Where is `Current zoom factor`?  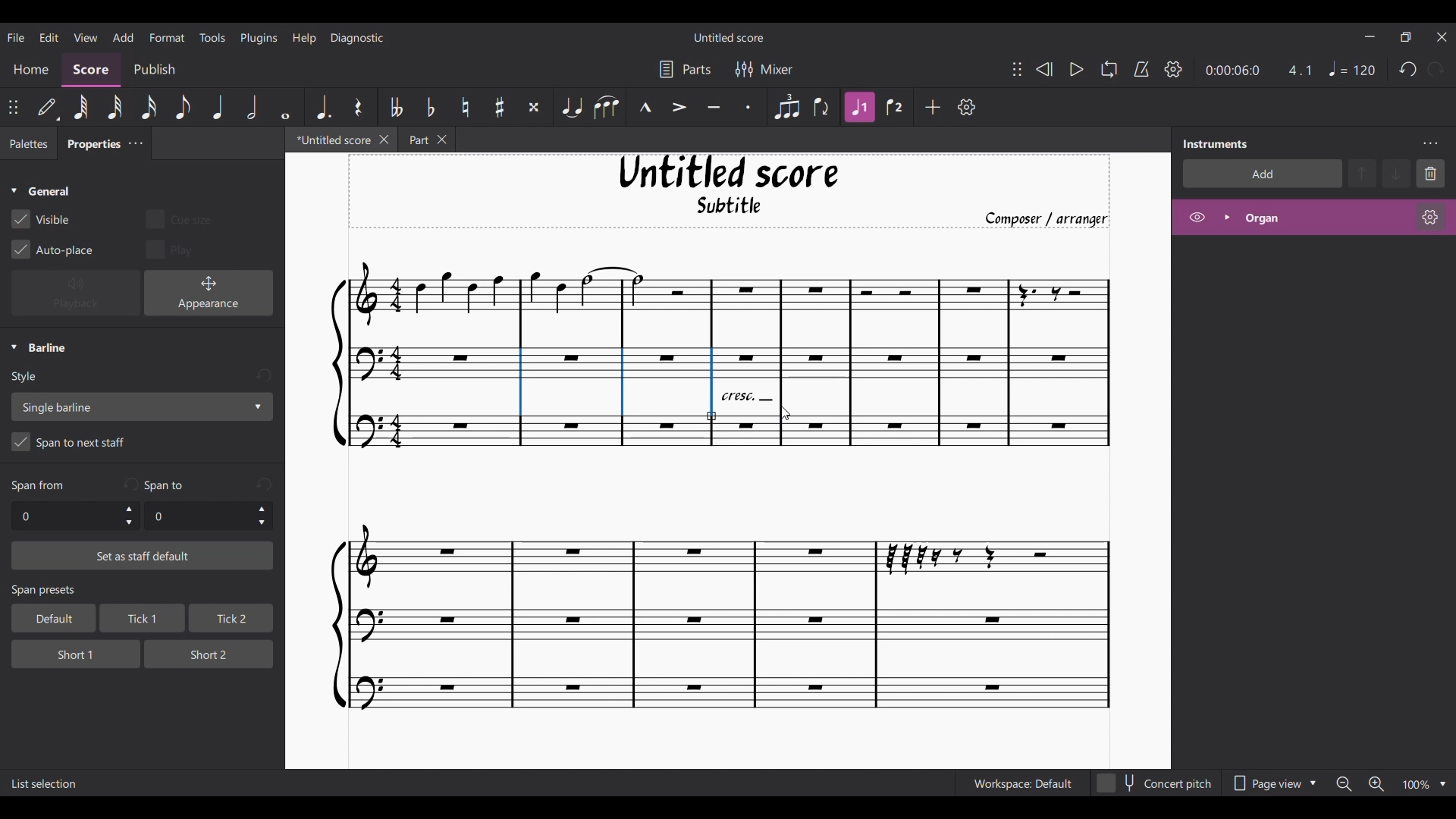 Current zoom factor is located at coordinates (1415, 786).